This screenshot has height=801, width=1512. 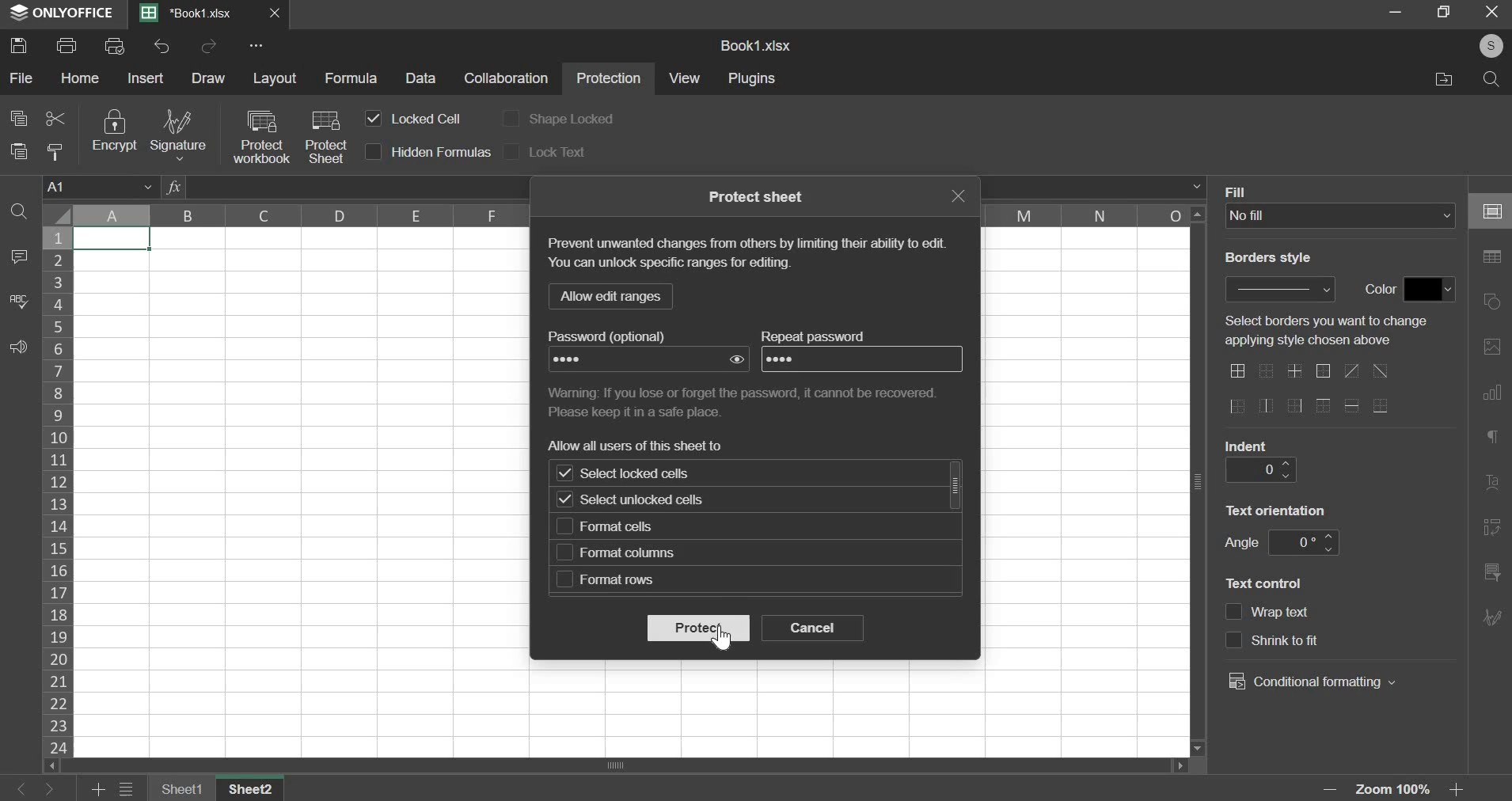 I want to click on right, so click(x=48, y=790).